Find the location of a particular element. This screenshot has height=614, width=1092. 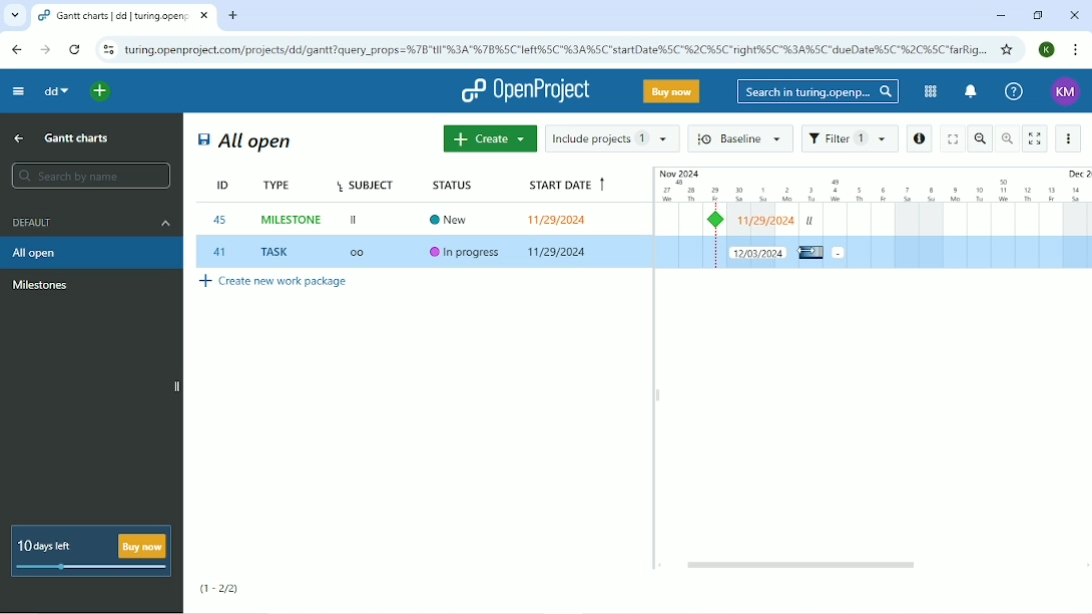

MILESTONE is located at coordinates (293, 220).